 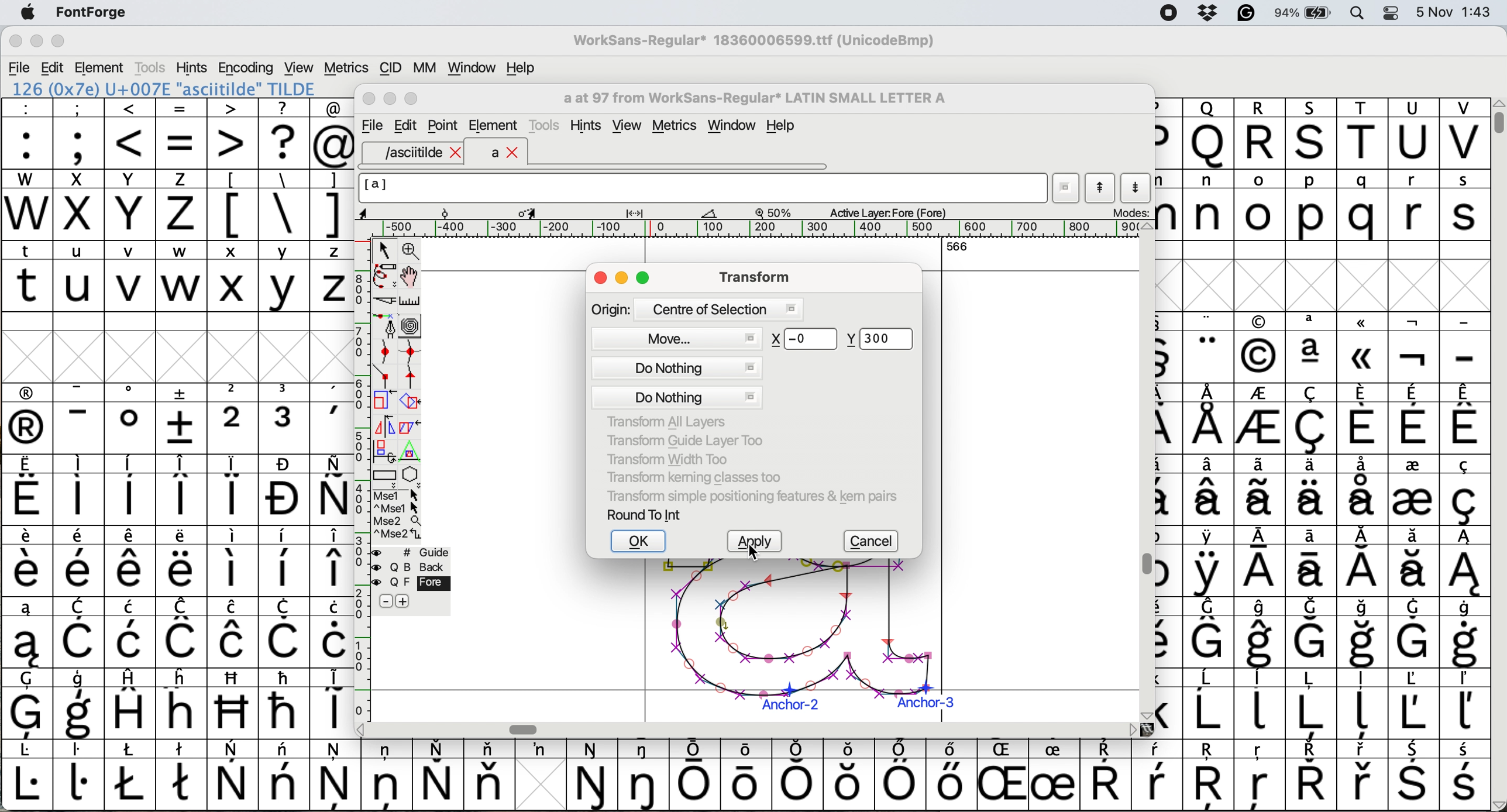 What do you see at coordinates (1413, 562) in the screenshot?
I see `symbol` at bounding box center [1413, 562].